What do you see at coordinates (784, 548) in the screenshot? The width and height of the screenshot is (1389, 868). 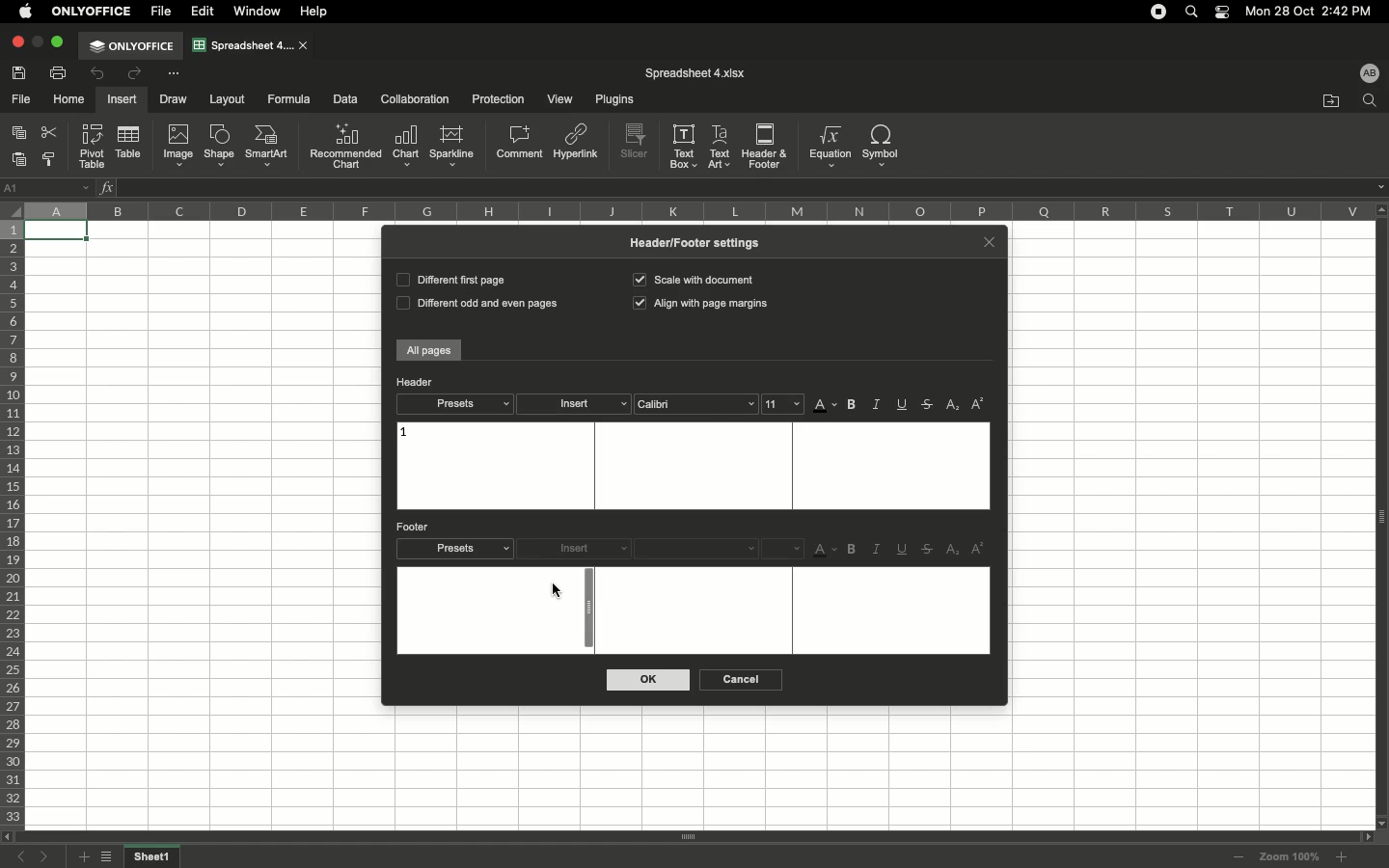 I see `menu` at bounding box center [784, 548].